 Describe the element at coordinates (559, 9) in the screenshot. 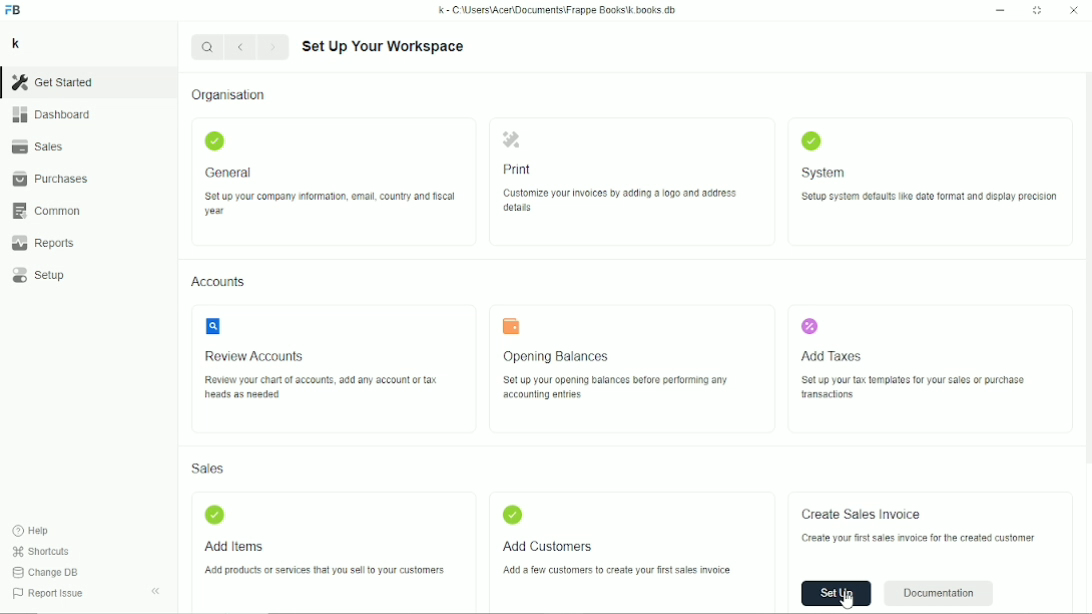

I see `k - C\Users\Acer\Documents\Frappe Books\k books db` at that location.